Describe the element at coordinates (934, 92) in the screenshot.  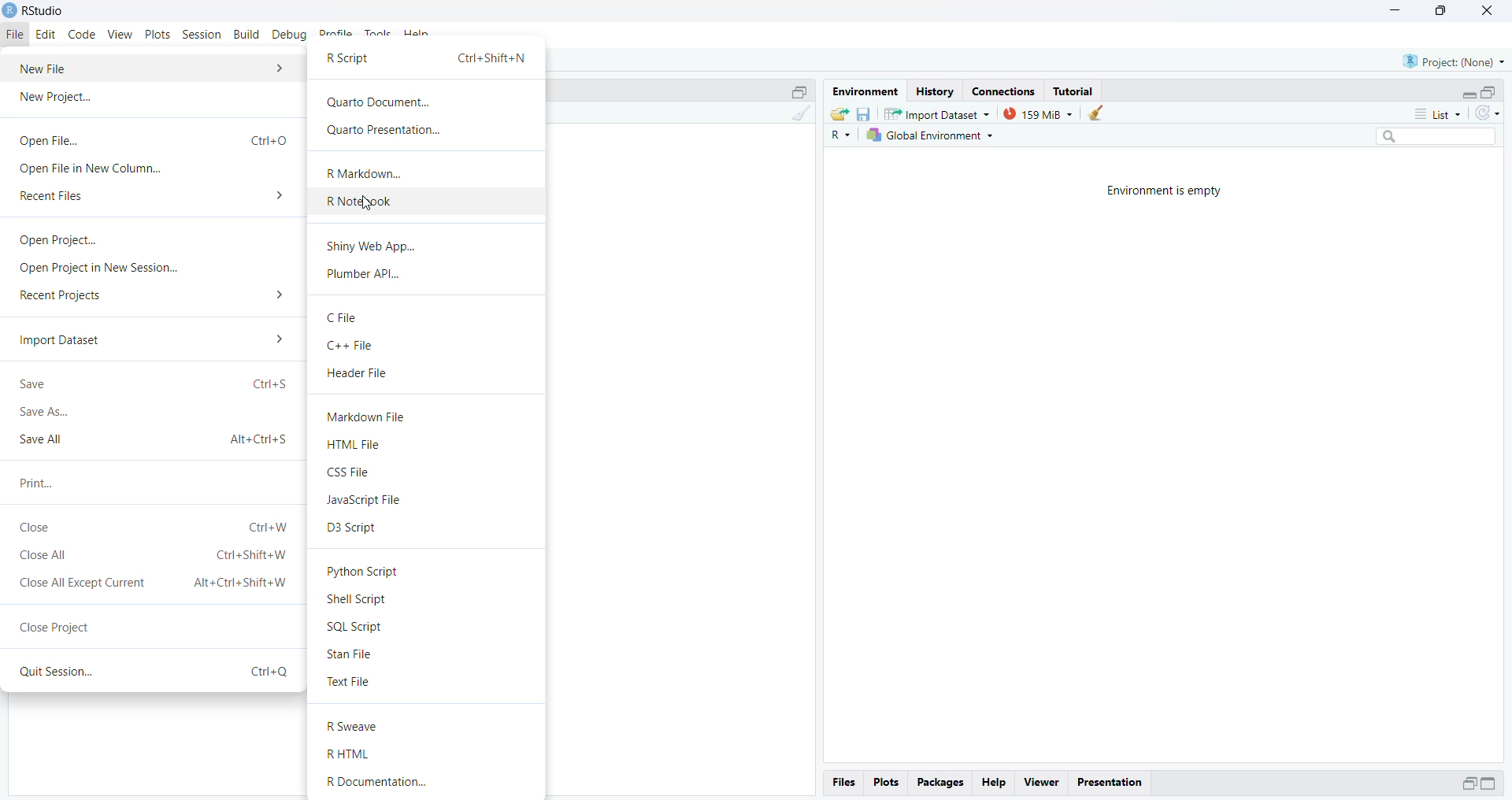
I see `history` at that location.